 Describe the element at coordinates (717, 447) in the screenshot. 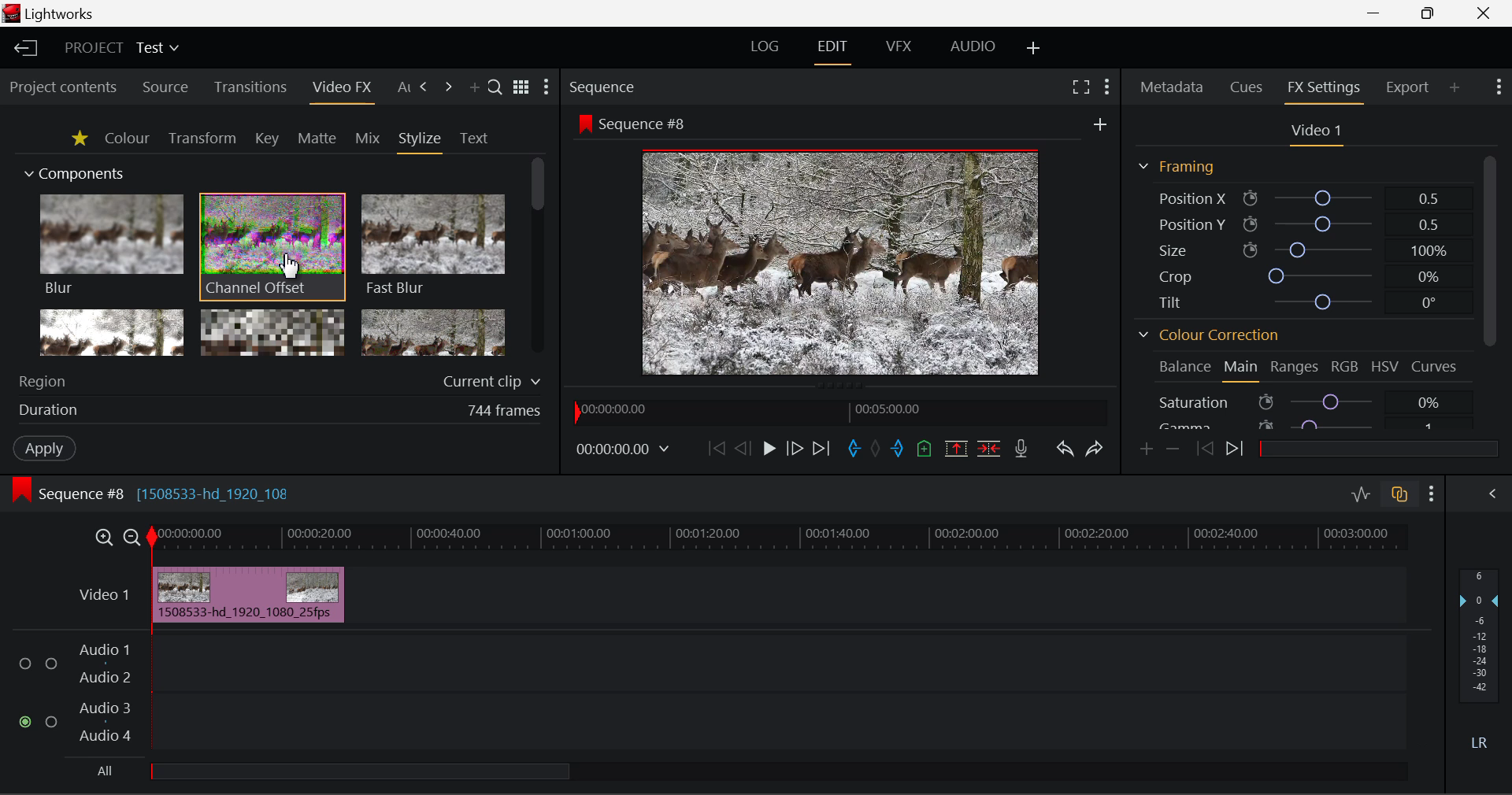

I see `To Start` at that location.